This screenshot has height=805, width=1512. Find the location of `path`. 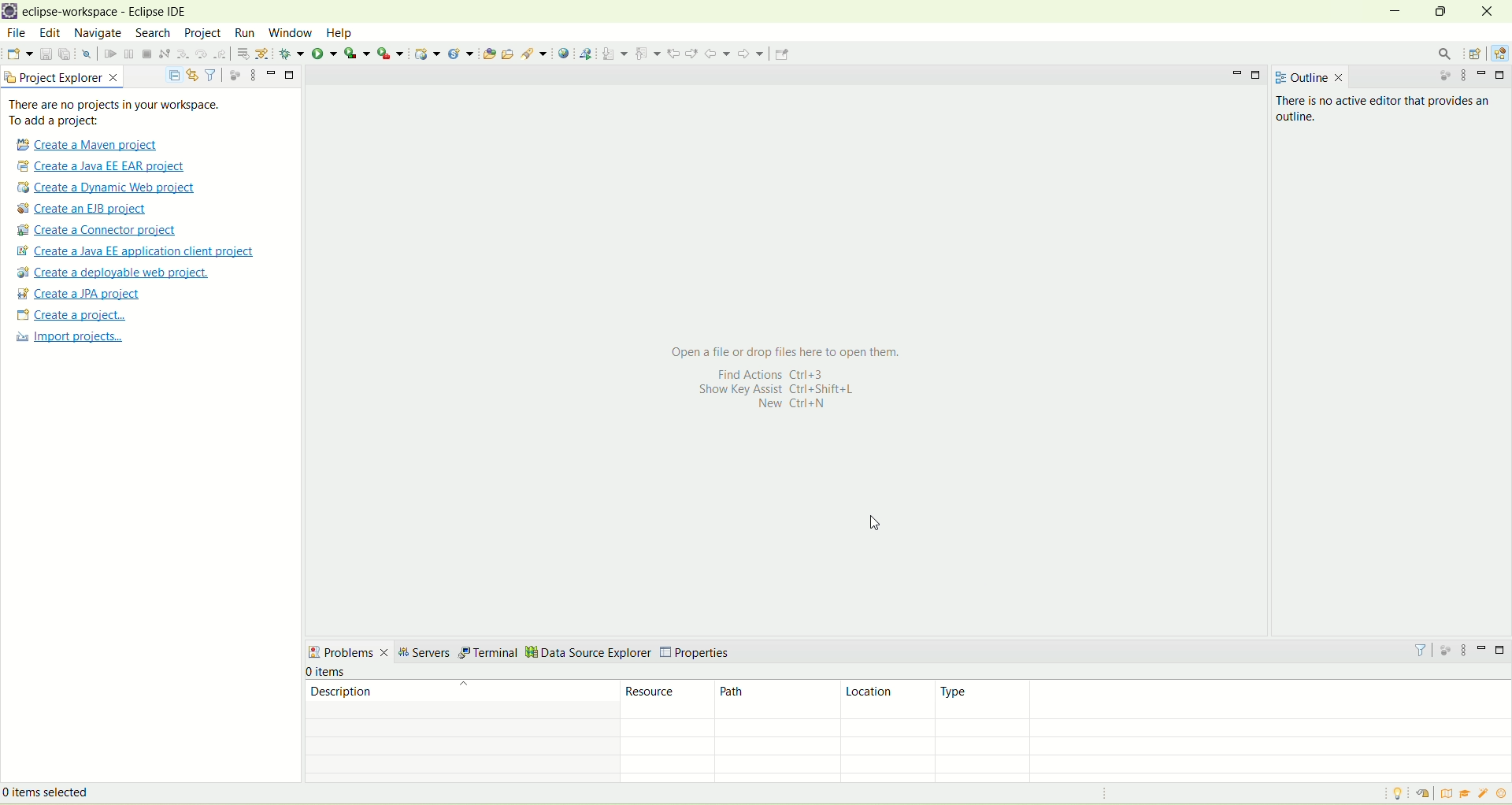

path is located at coordinates (781, 698).